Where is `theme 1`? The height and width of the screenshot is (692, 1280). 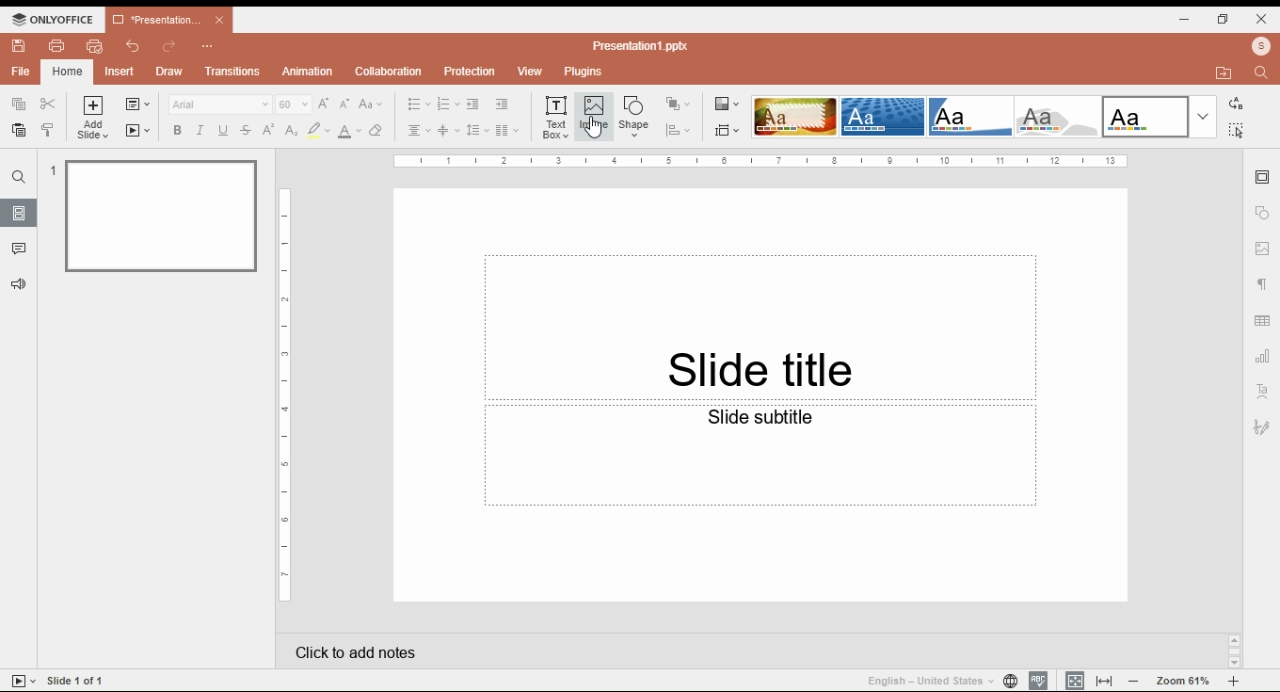
theme 1 is located at coordinates (793, 117).